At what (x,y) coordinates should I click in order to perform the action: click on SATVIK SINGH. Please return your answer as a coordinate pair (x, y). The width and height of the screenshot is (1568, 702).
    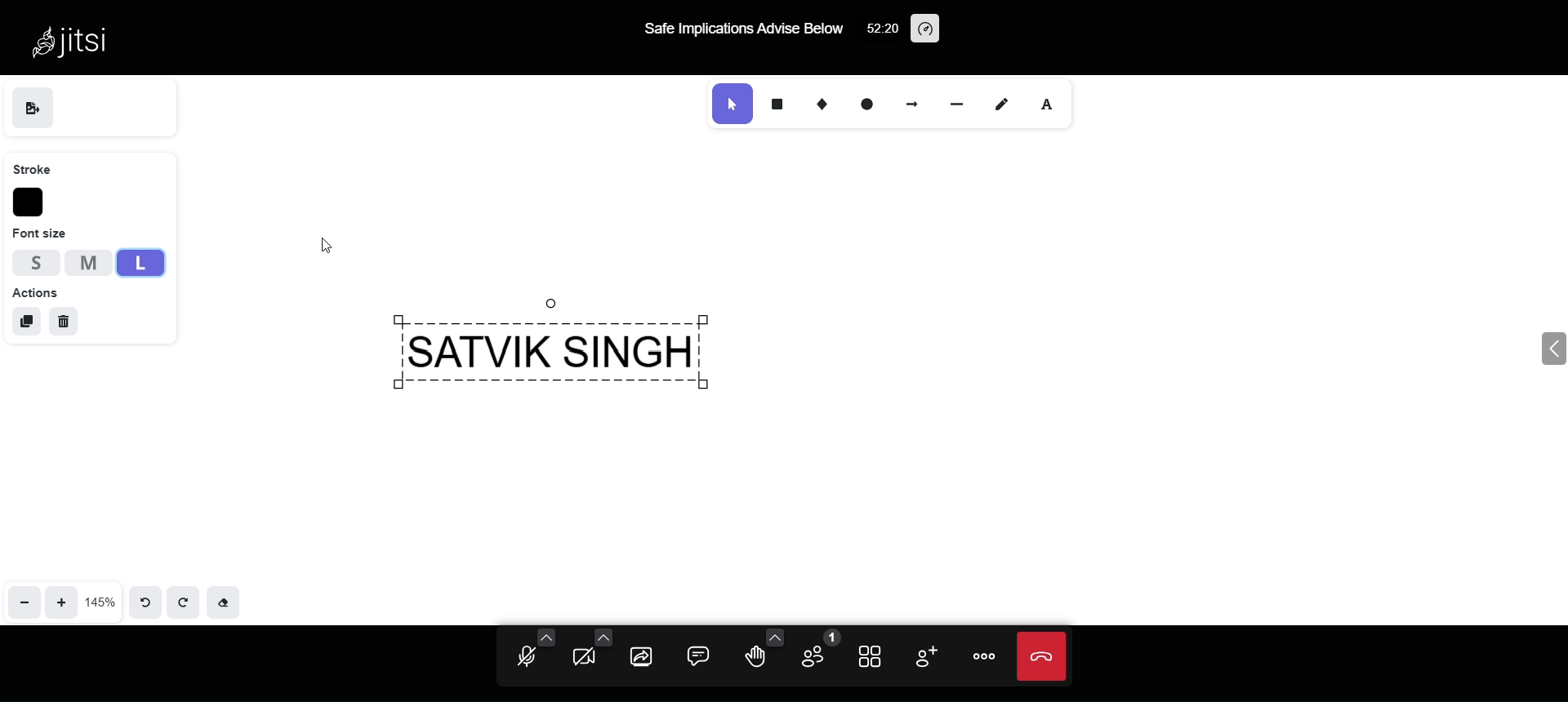
    Looking at the image, I should click on (577, 353).